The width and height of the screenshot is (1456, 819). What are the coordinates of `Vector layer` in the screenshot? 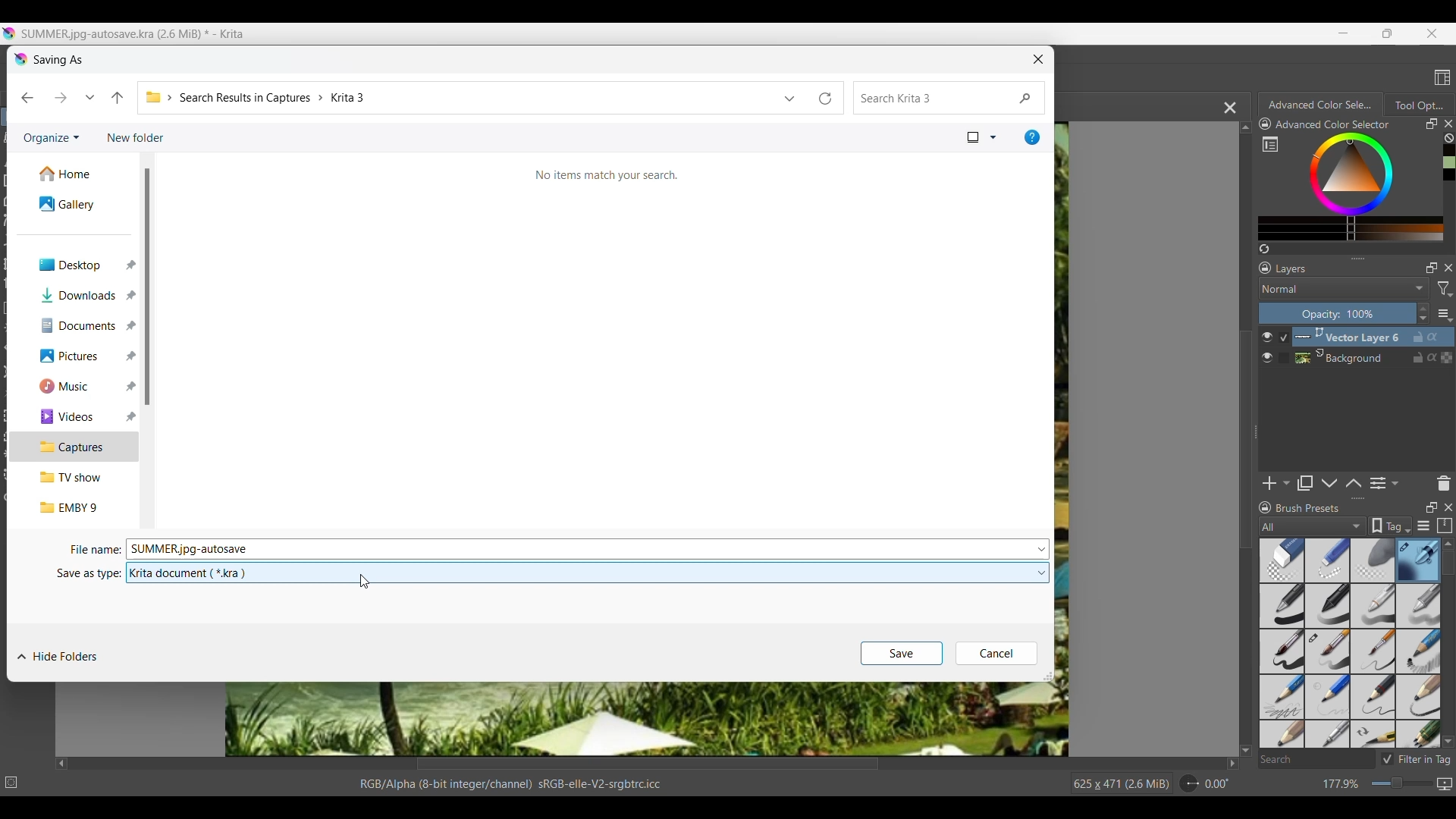 It's located at (1373, 337).